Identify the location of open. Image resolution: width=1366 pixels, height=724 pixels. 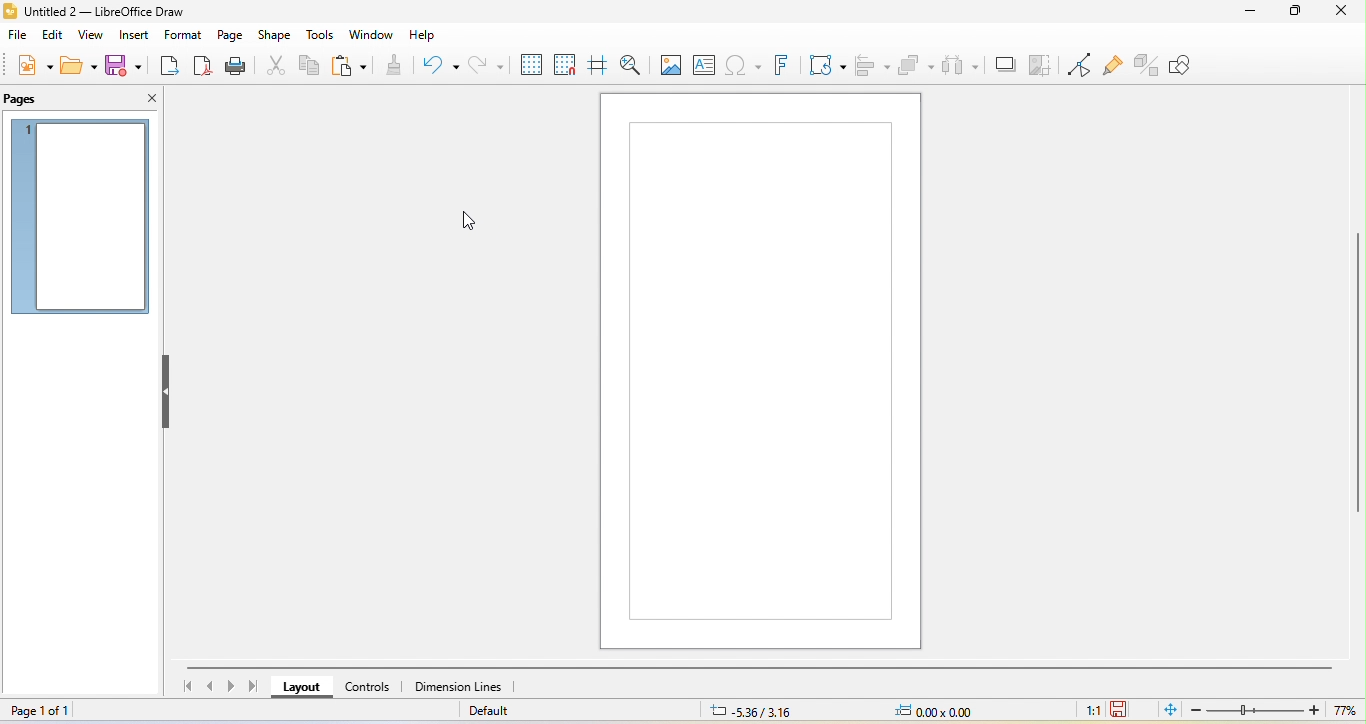
(77, 65).